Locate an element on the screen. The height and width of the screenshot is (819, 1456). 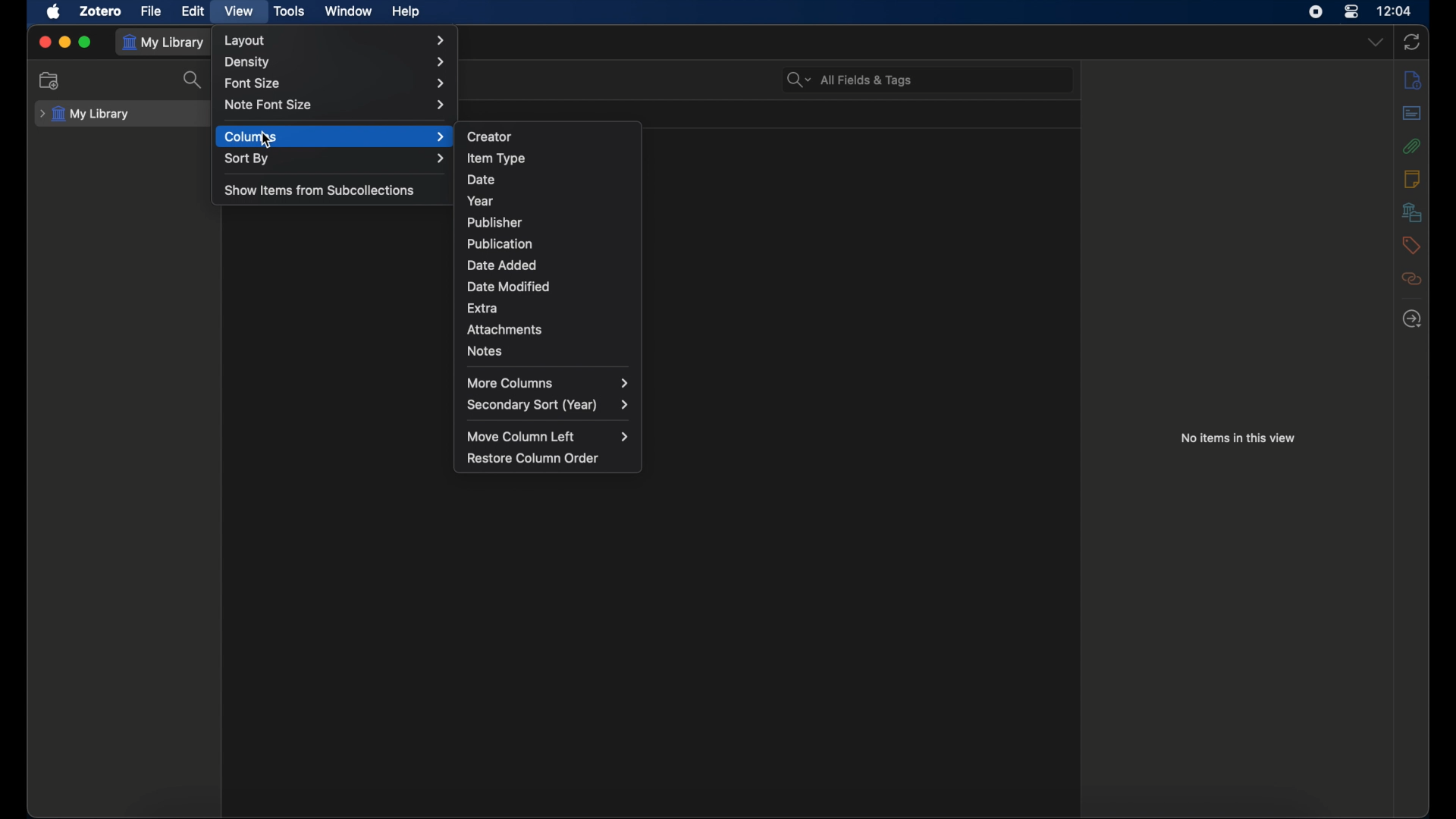
my library is located at coordinates (83, 115).